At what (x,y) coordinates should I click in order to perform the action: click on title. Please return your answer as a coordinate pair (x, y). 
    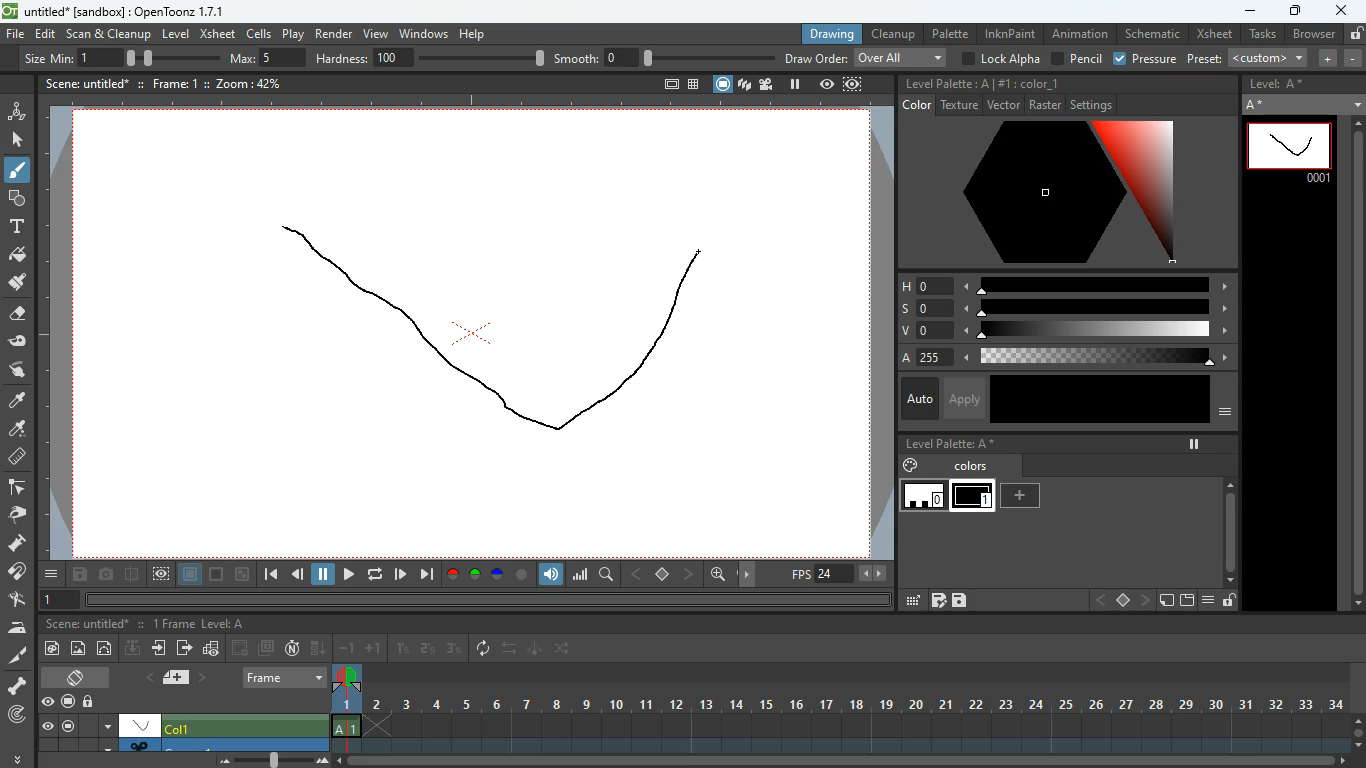
    Looking at the image, I should click on (84, 82).